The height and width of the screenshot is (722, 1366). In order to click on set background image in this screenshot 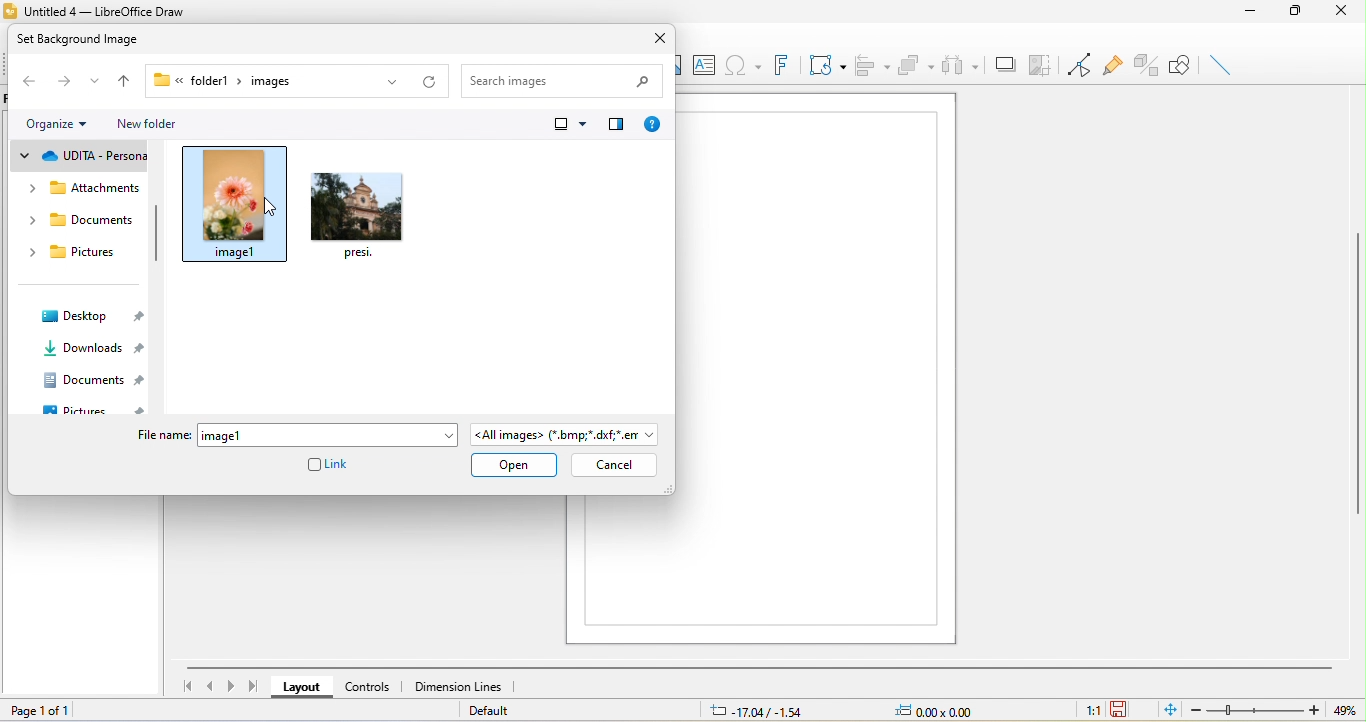, I will do `click(104, 37)`.